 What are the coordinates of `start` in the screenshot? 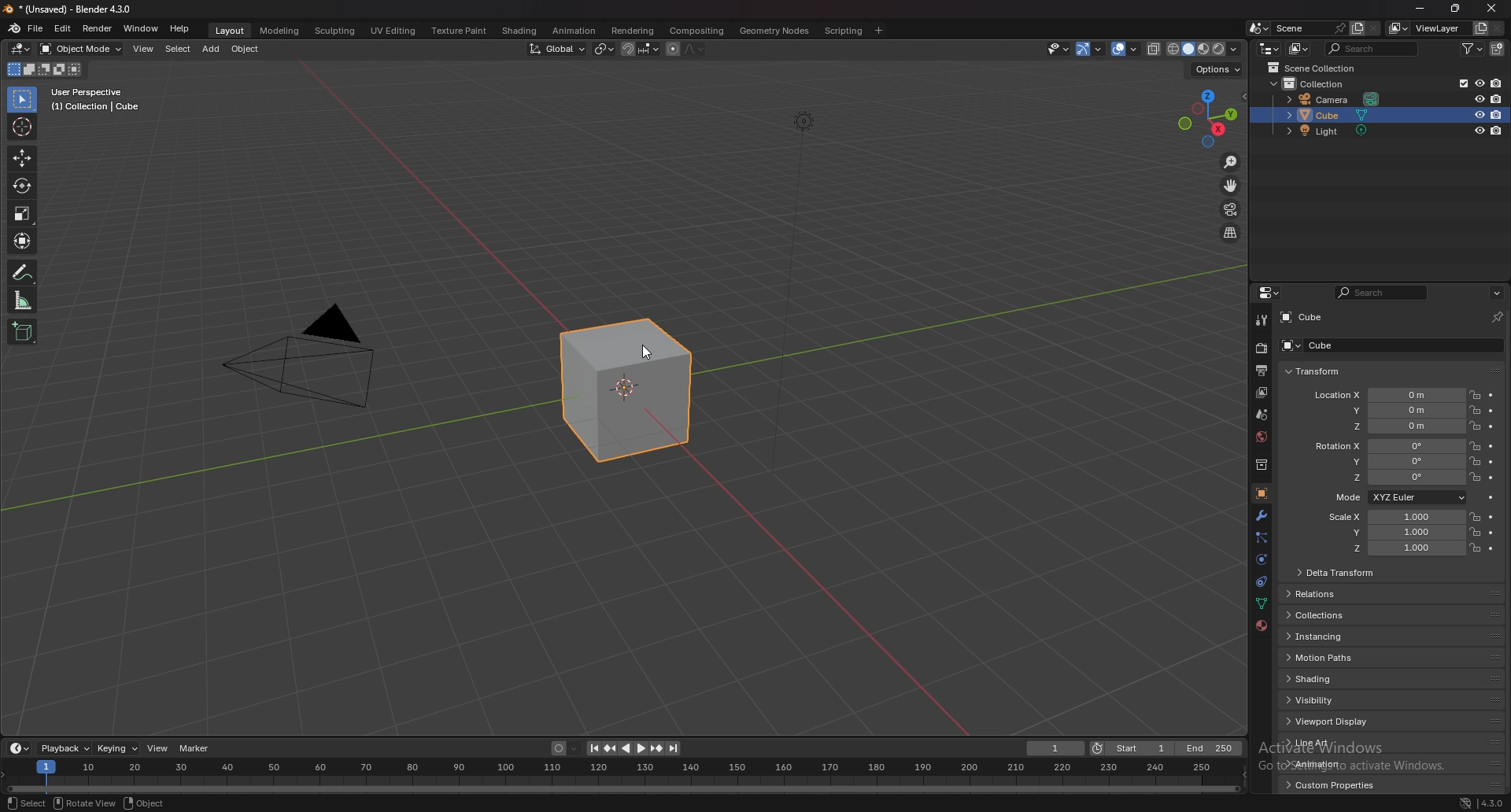 It's located at (1132, 747).